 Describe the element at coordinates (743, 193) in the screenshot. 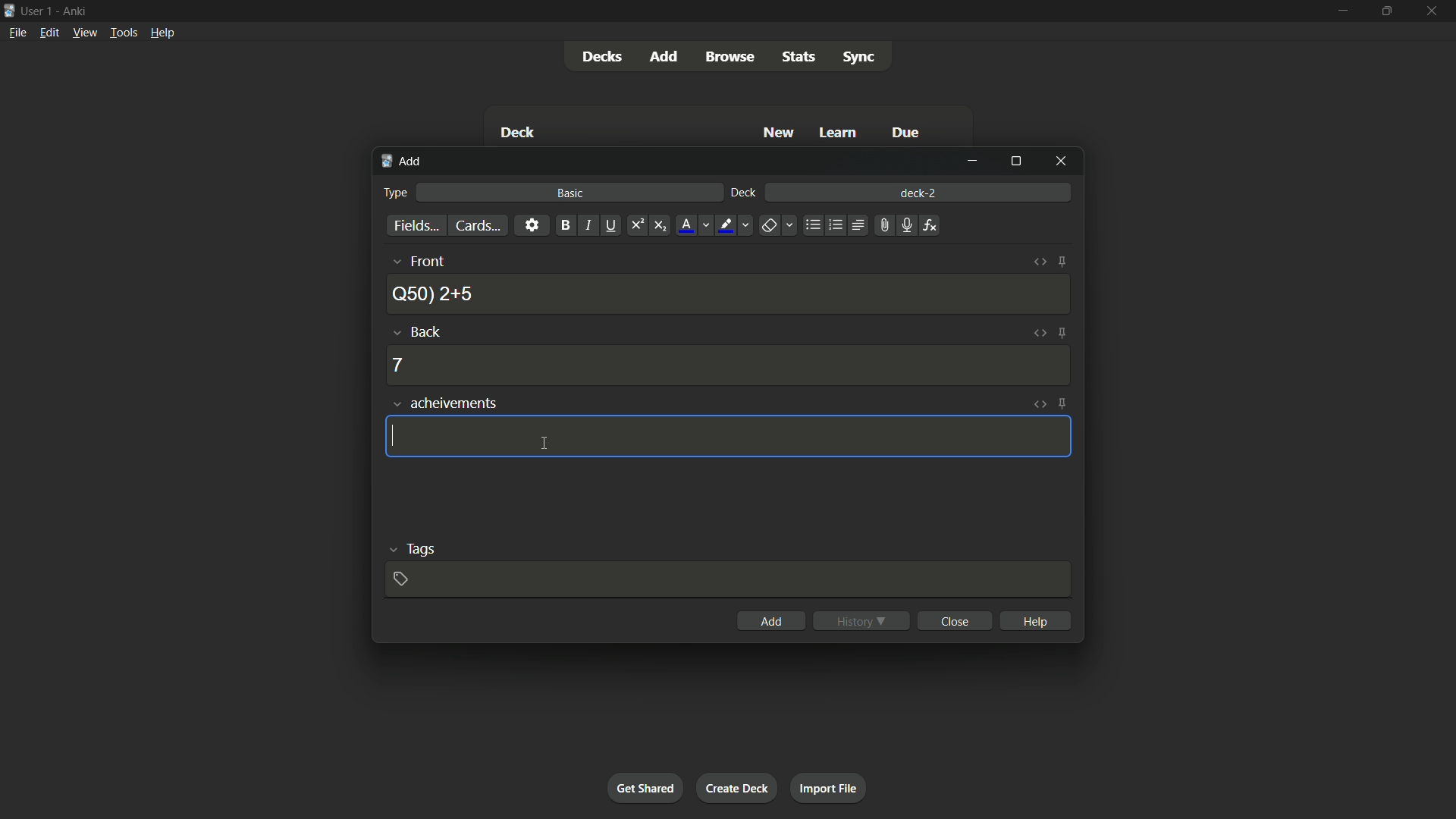

I see `deck` at that location.